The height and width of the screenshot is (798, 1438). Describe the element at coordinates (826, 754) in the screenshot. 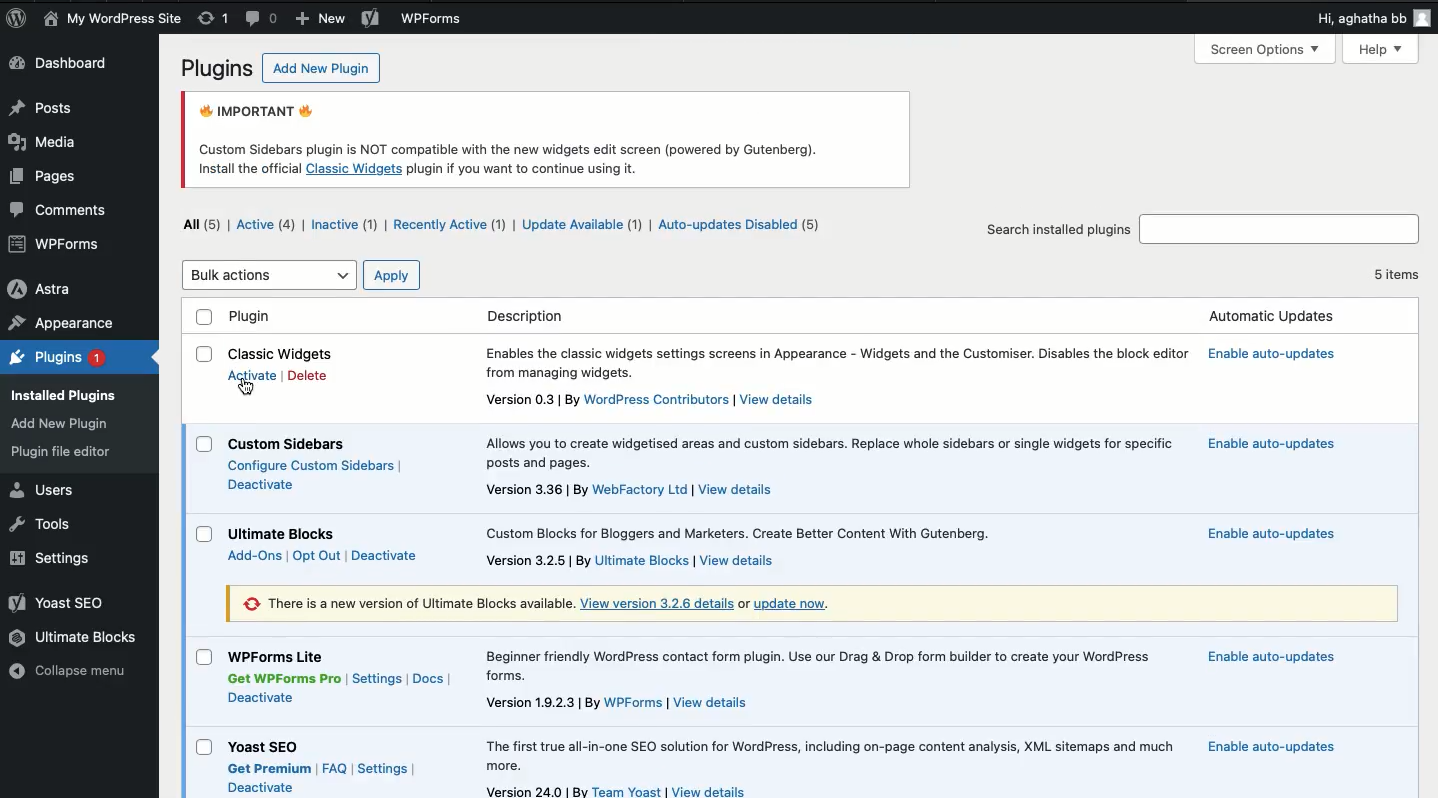

I see `description` at that location.